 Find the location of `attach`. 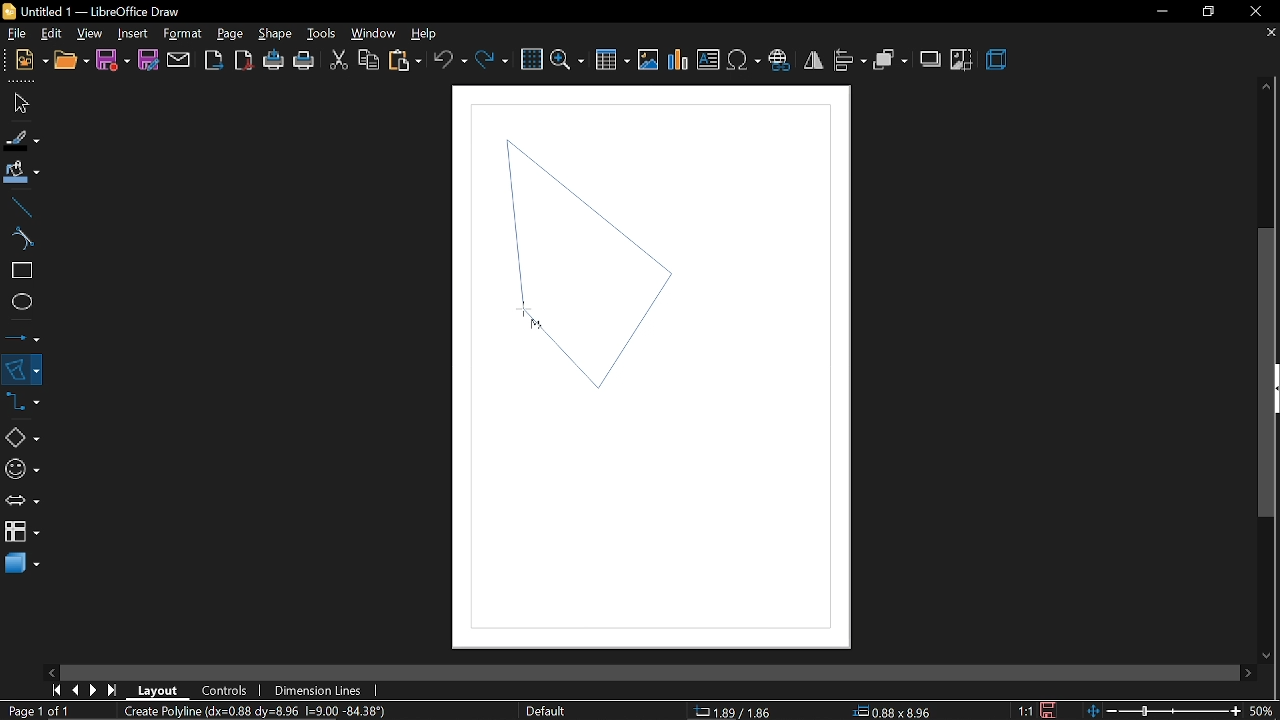

attach is located at coordinates (178, 60).